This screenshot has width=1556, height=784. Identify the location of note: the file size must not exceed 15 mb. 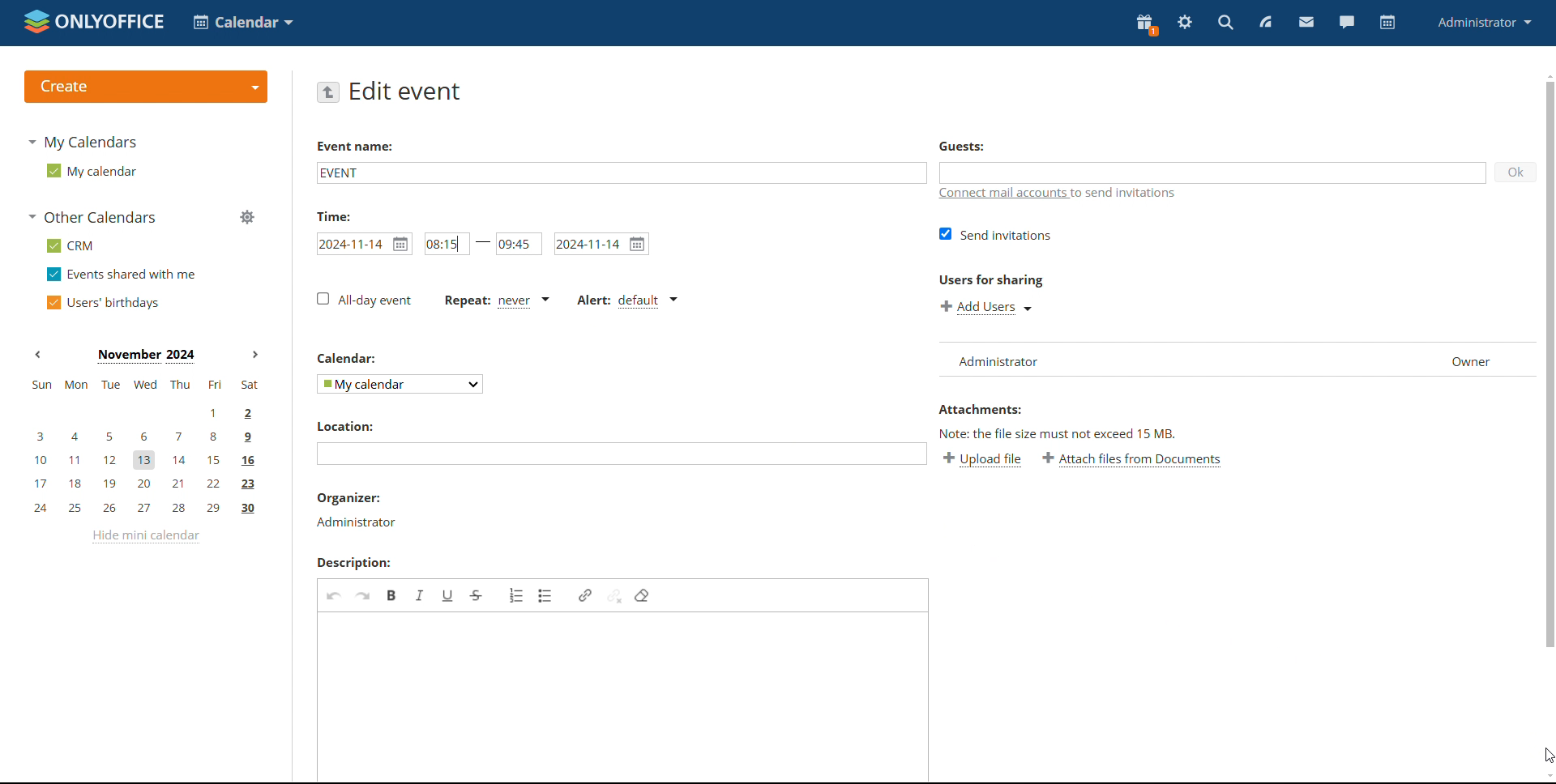
(1059, 432).